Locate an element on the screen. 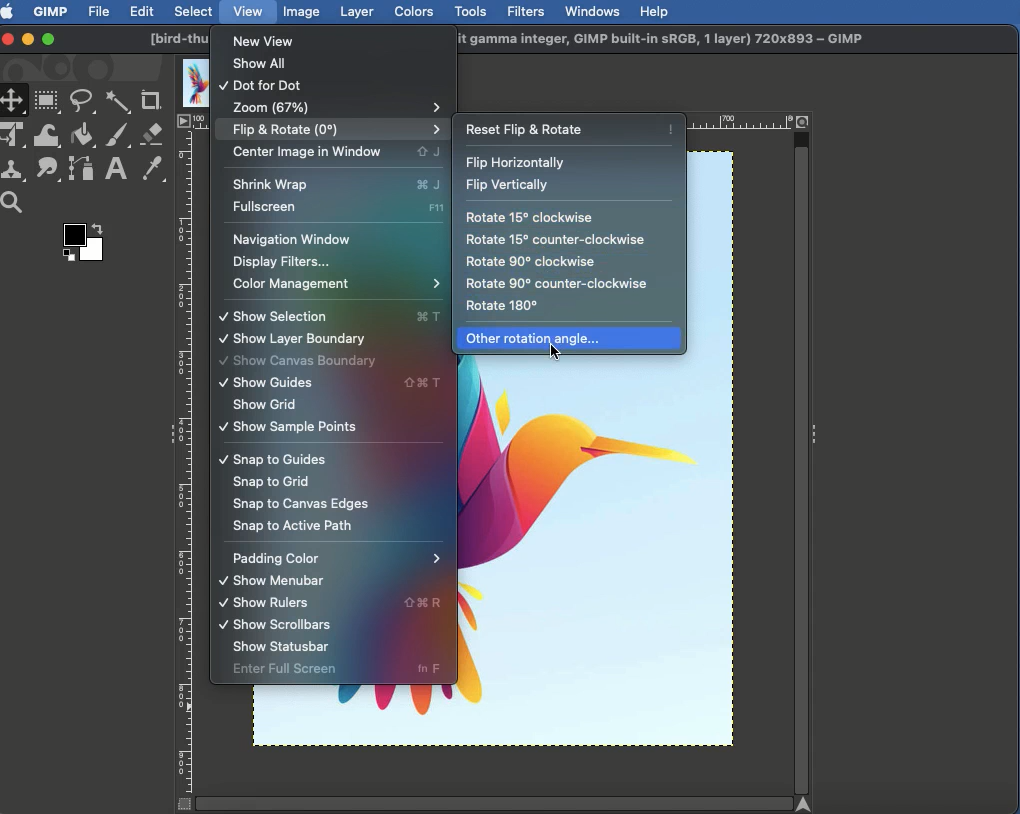 The image size is (1020, 814). horizontal Scrollbar is located at coordinates (492, 802).